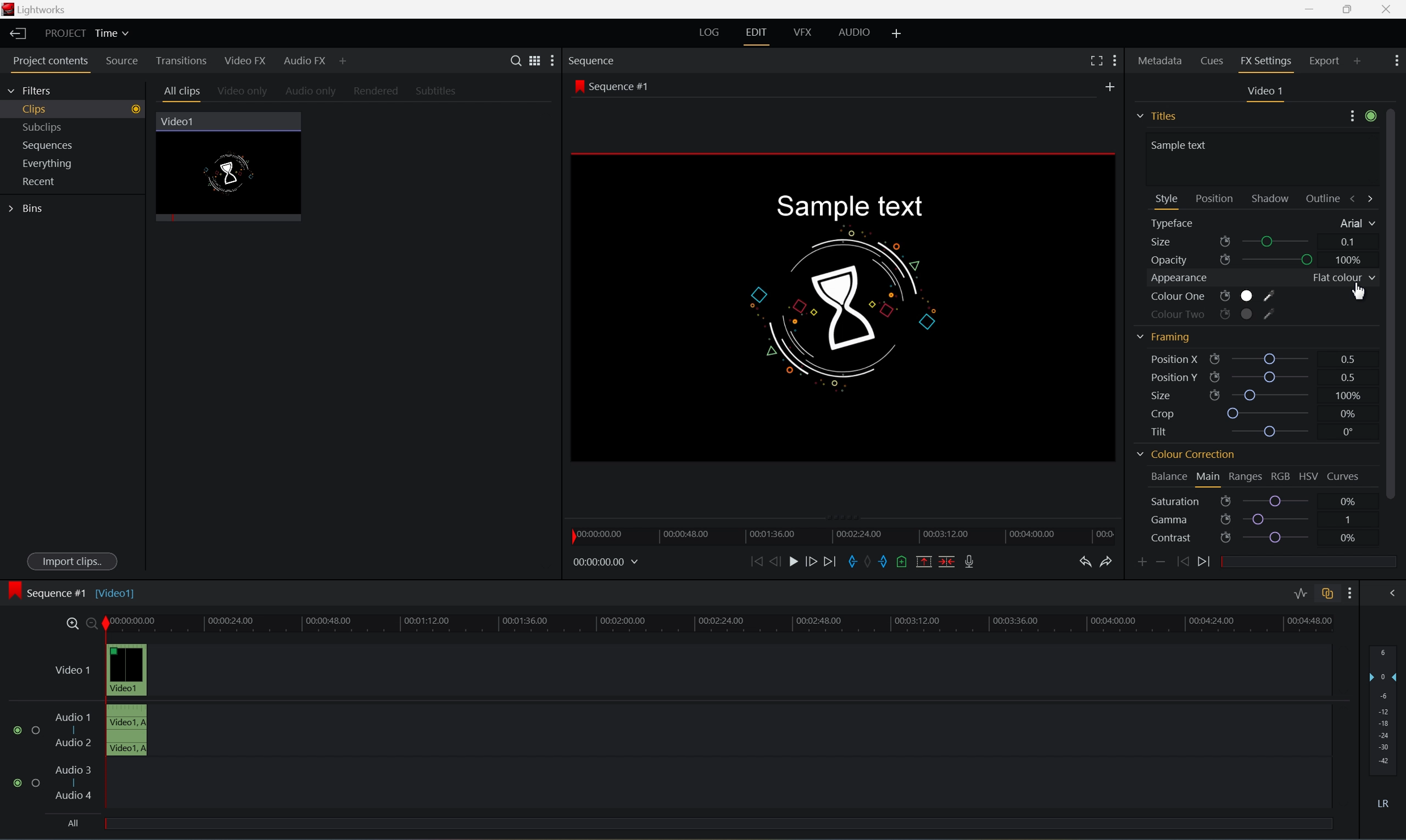 This screenshot has height=840, width=1406. Describe the element at coordinates (1273, 431) in the screenshot. I see `slider` at that location.